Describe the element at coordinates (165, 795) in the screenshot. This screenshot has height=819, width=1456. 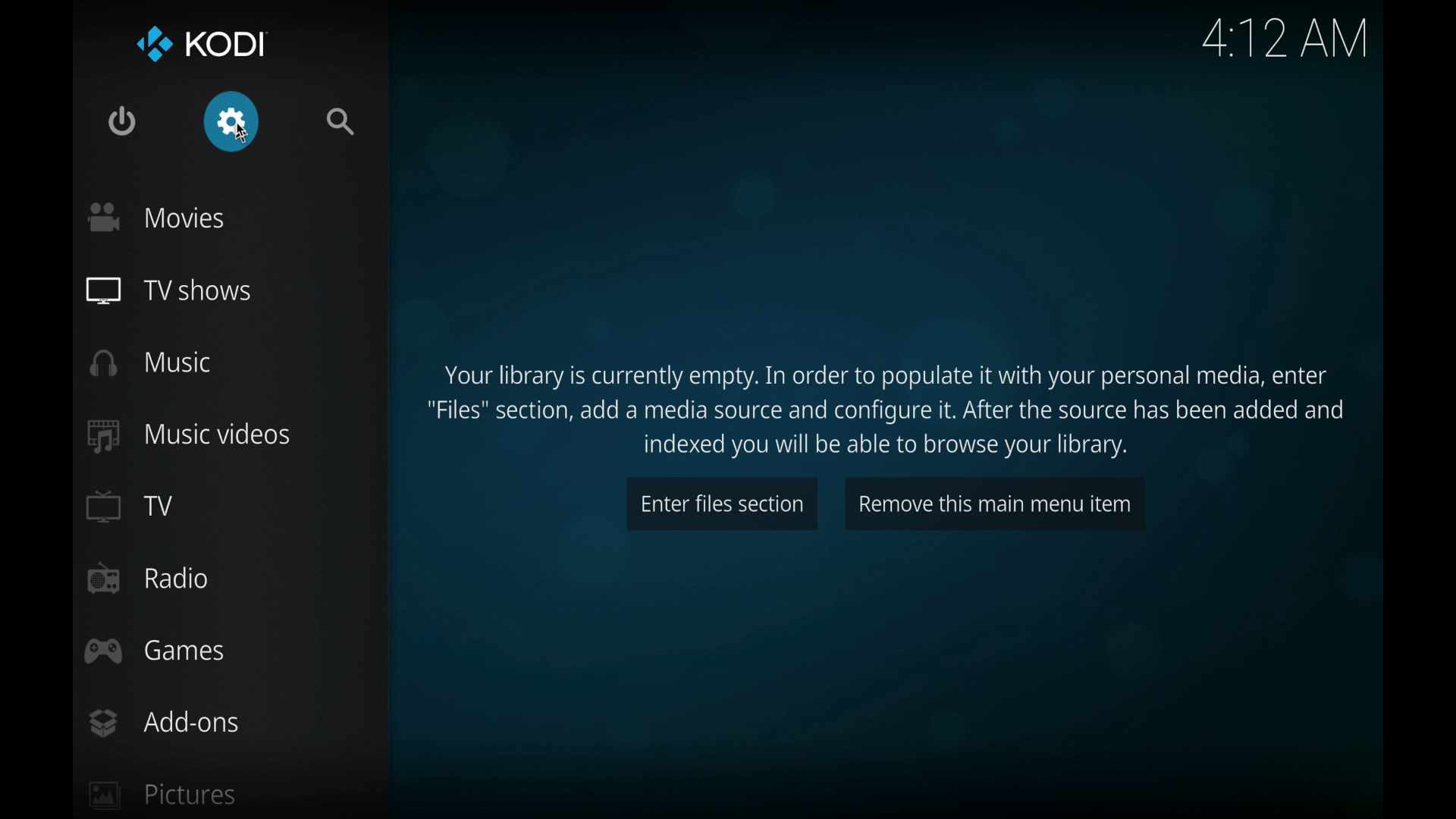
I see `pictures` at that location.